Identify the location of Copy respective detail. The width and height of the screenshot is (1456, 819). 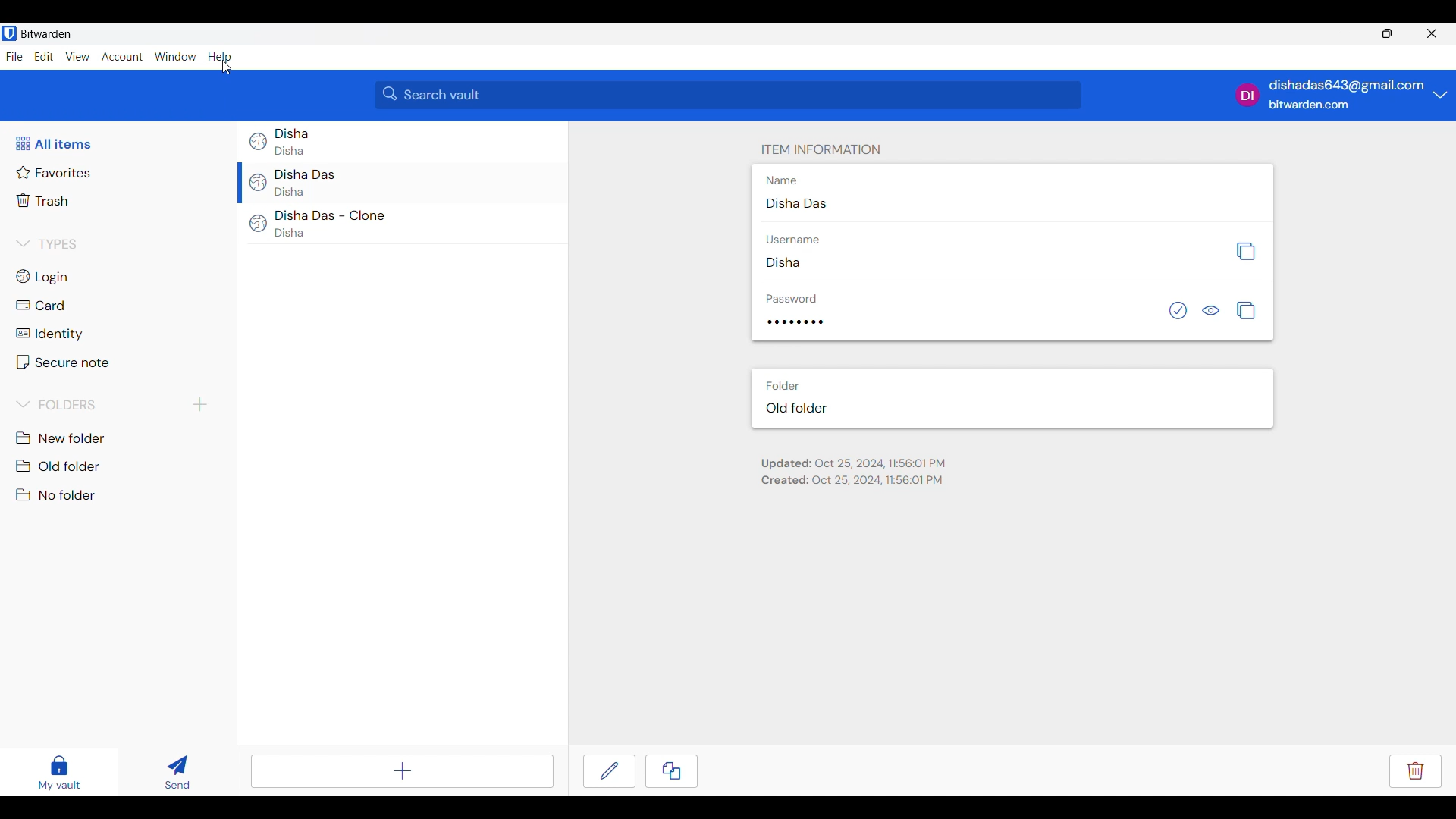
(1246, 310).